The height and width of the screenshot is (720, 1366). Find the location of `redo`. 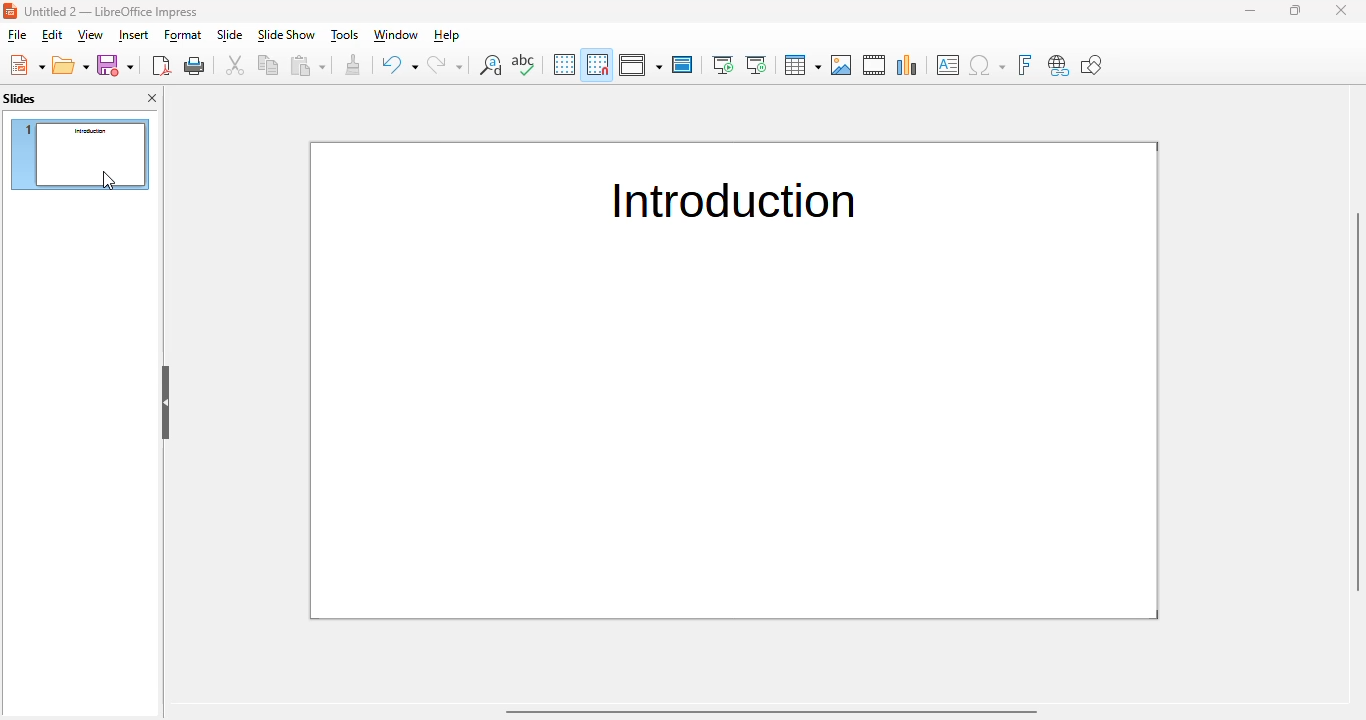

redo is located at coordinates (446, 65).